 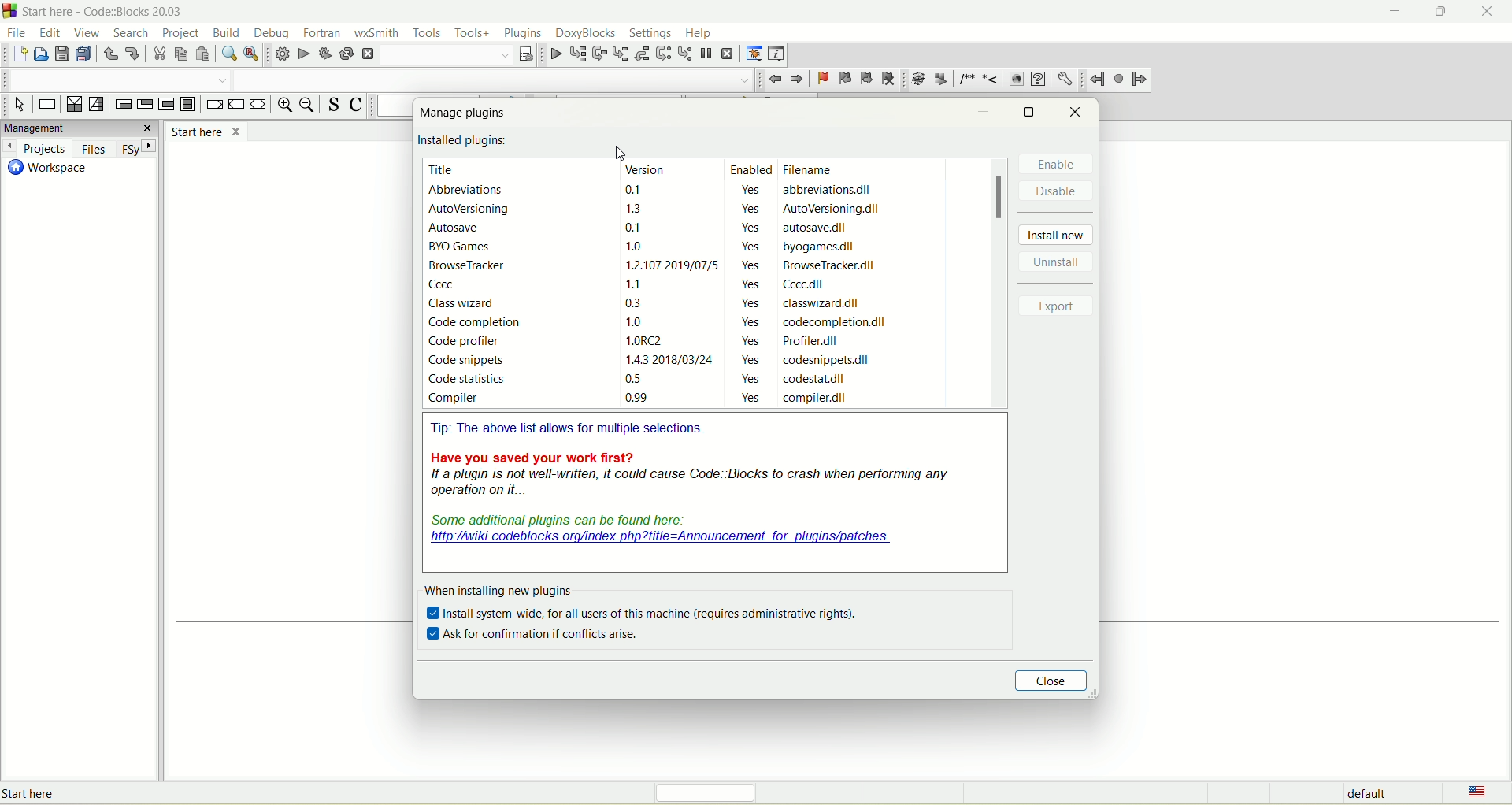 What do you see at coordinates (1064, 77) in the screenshot?
I see `settings` at bounding box center [1064, 77].